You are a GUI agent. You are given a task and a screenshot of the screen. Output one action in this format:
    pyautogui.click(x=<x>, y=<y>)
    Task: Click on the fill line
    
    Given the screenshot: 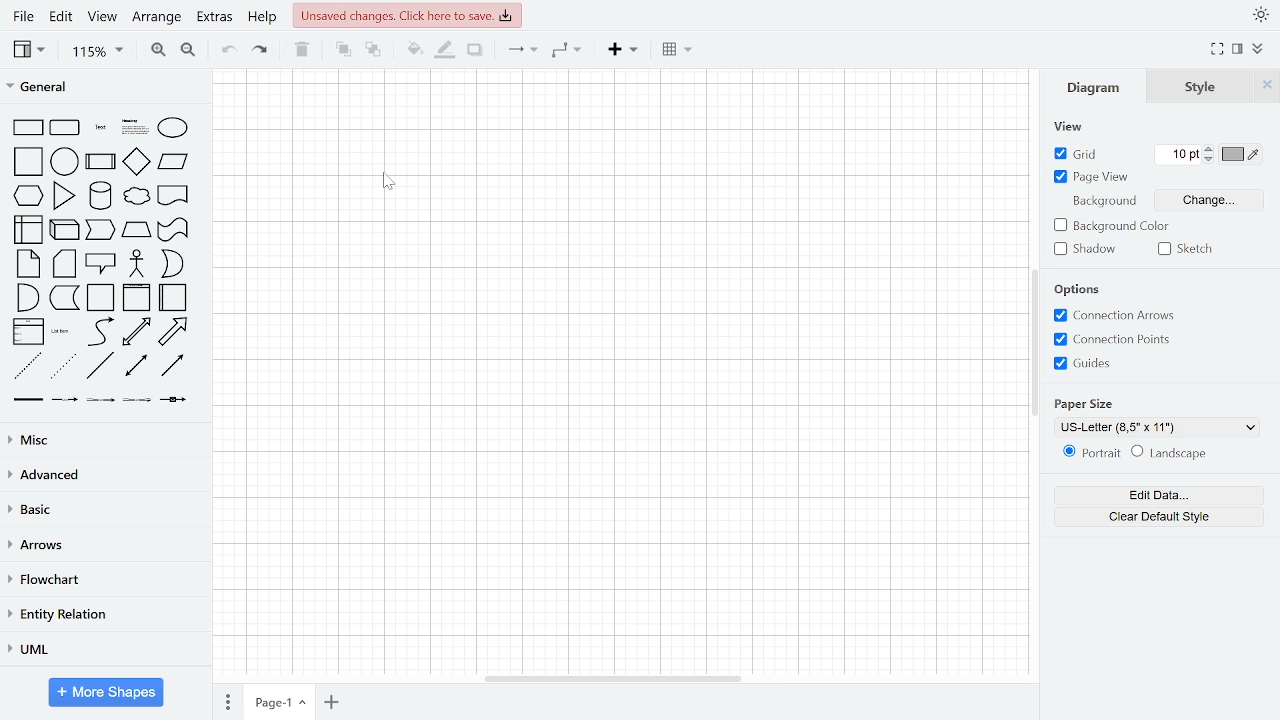 What is the action you would take?
    pyautogui.click(x=447, y=50)
    